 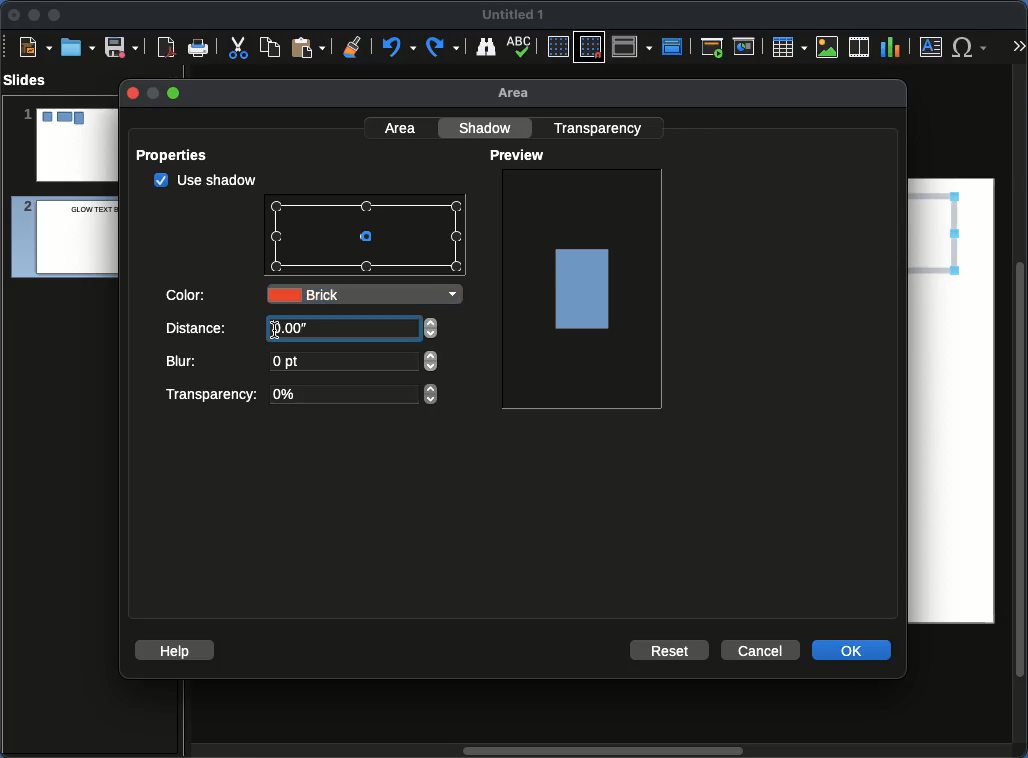 What do you see at coordinates (270, 46) in the screenshot?
I see `Copy` at bounding box center [270, 46].